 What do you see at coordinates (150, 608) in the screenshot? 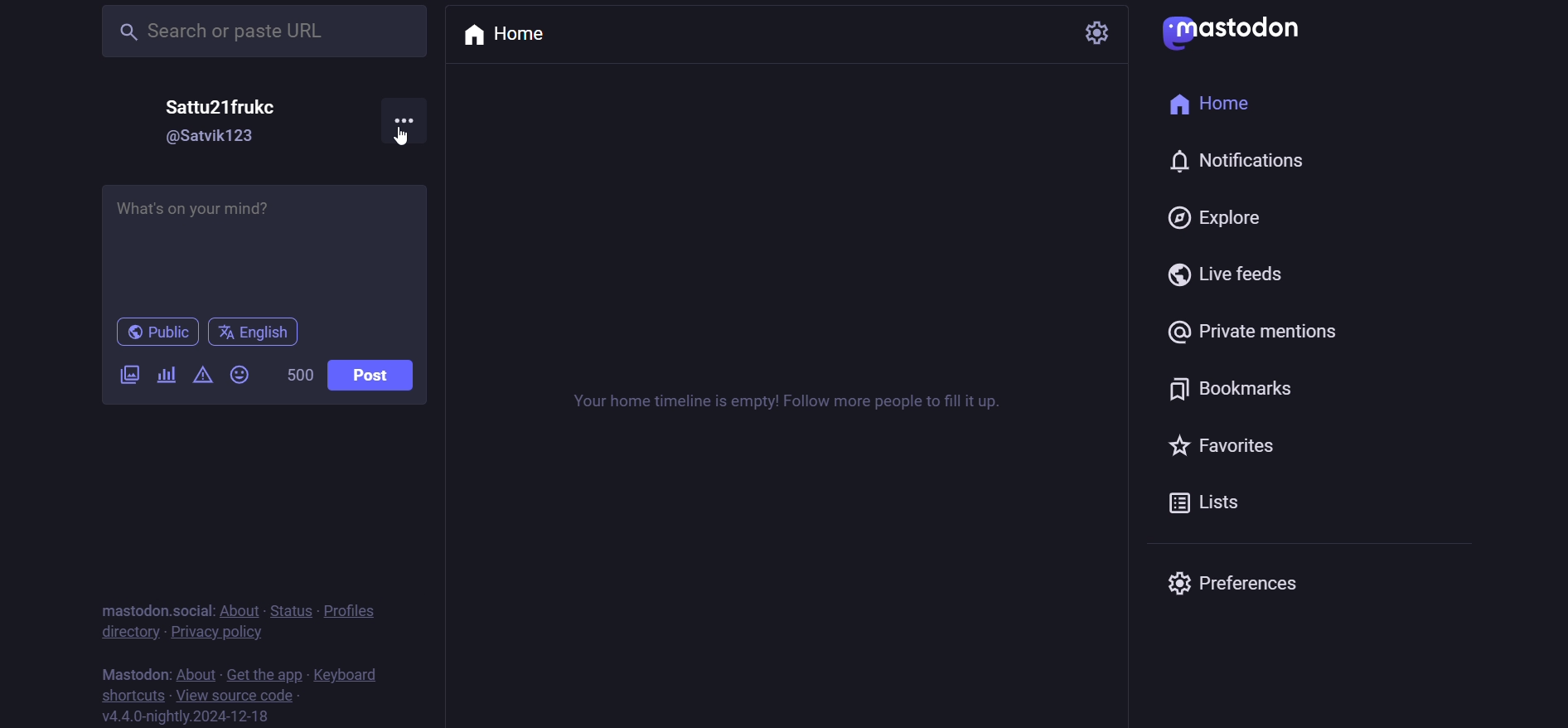
I see `mastodon social` at bounding box center [150, 608].